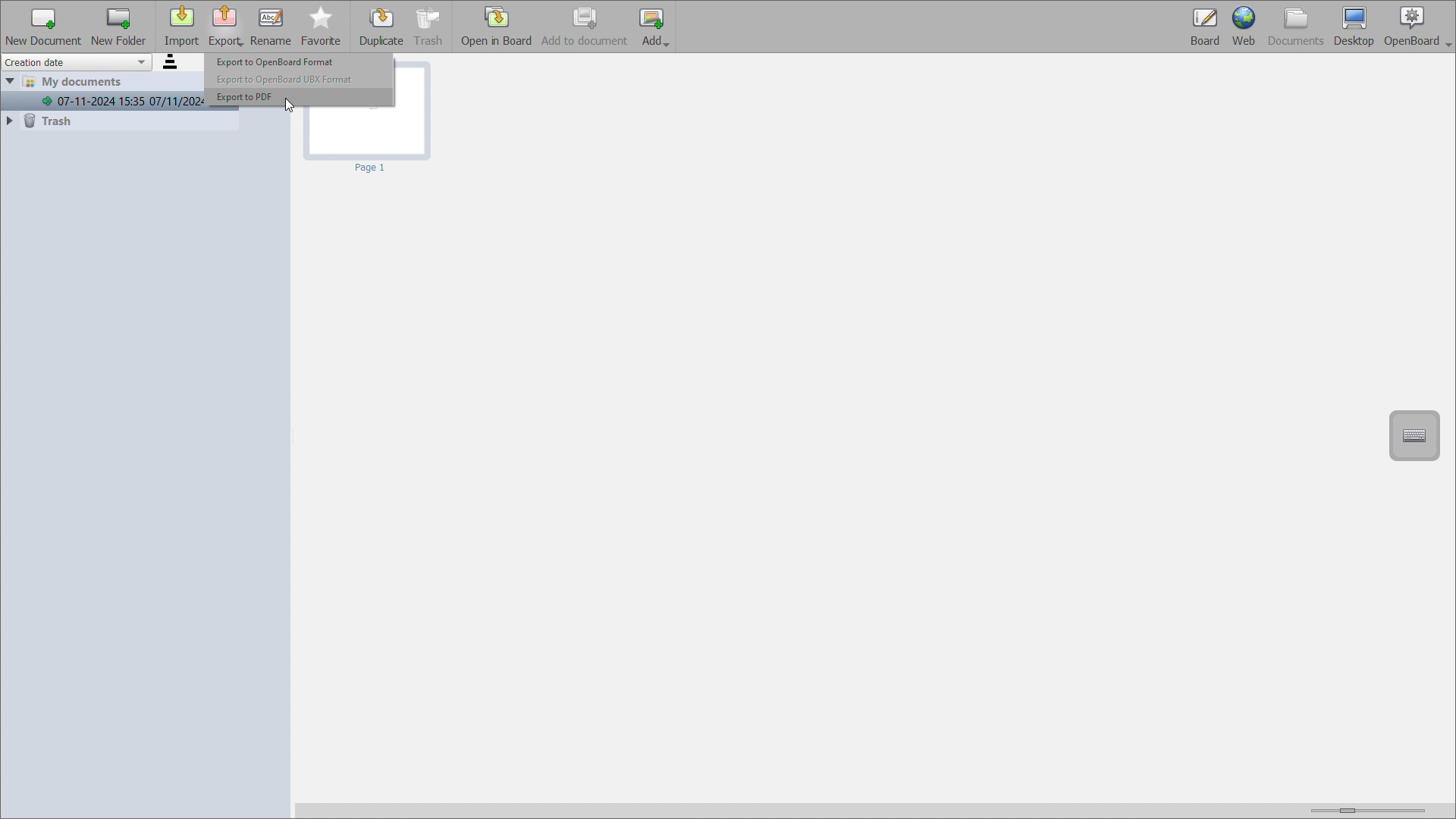 Image resolution: width=1456 pixels, height=819 pixels. I want to click on import, so click(181, 27).